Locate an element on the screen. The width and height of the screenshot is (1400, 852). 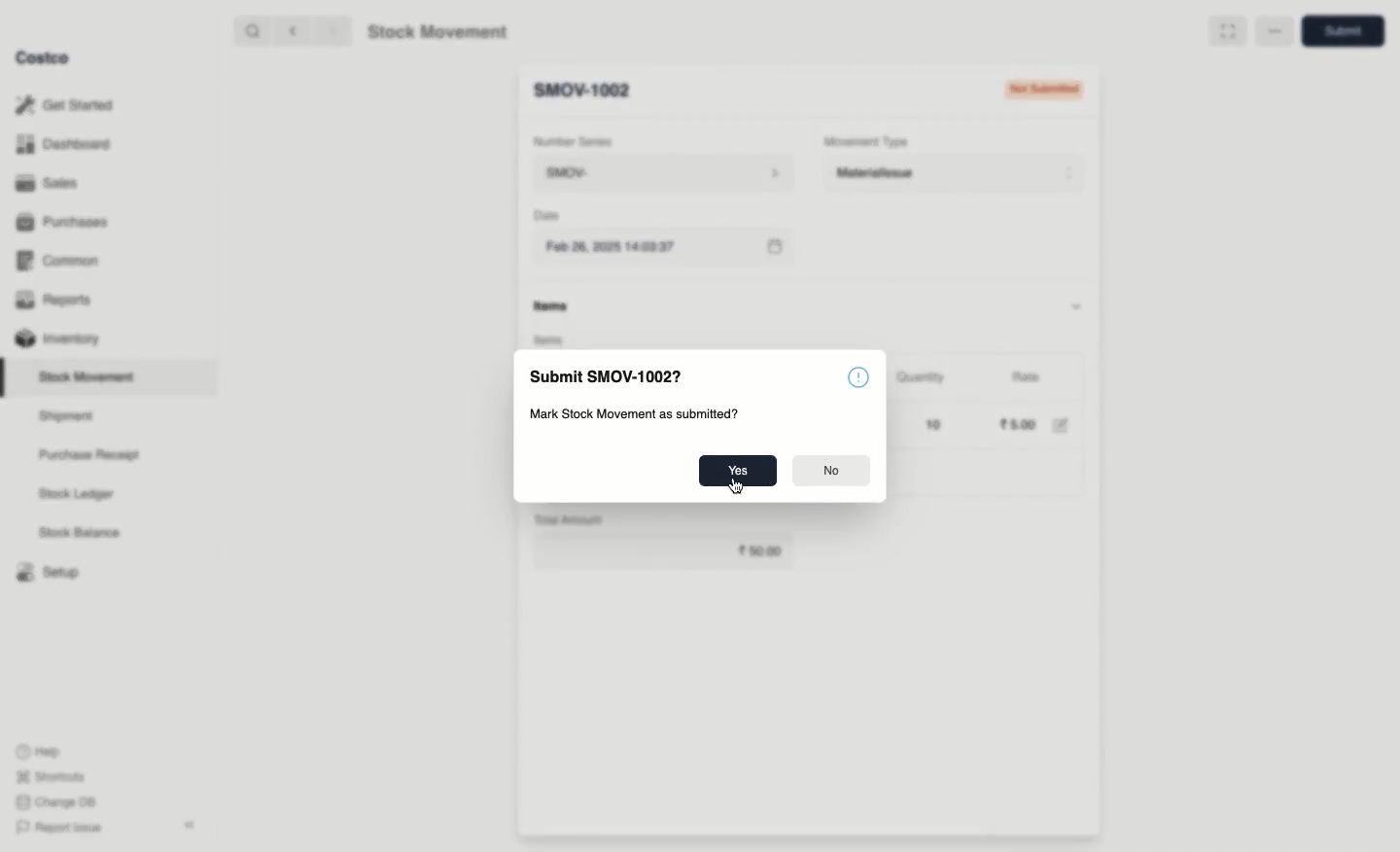
Stock Movement is located at coordinates (90, 376).